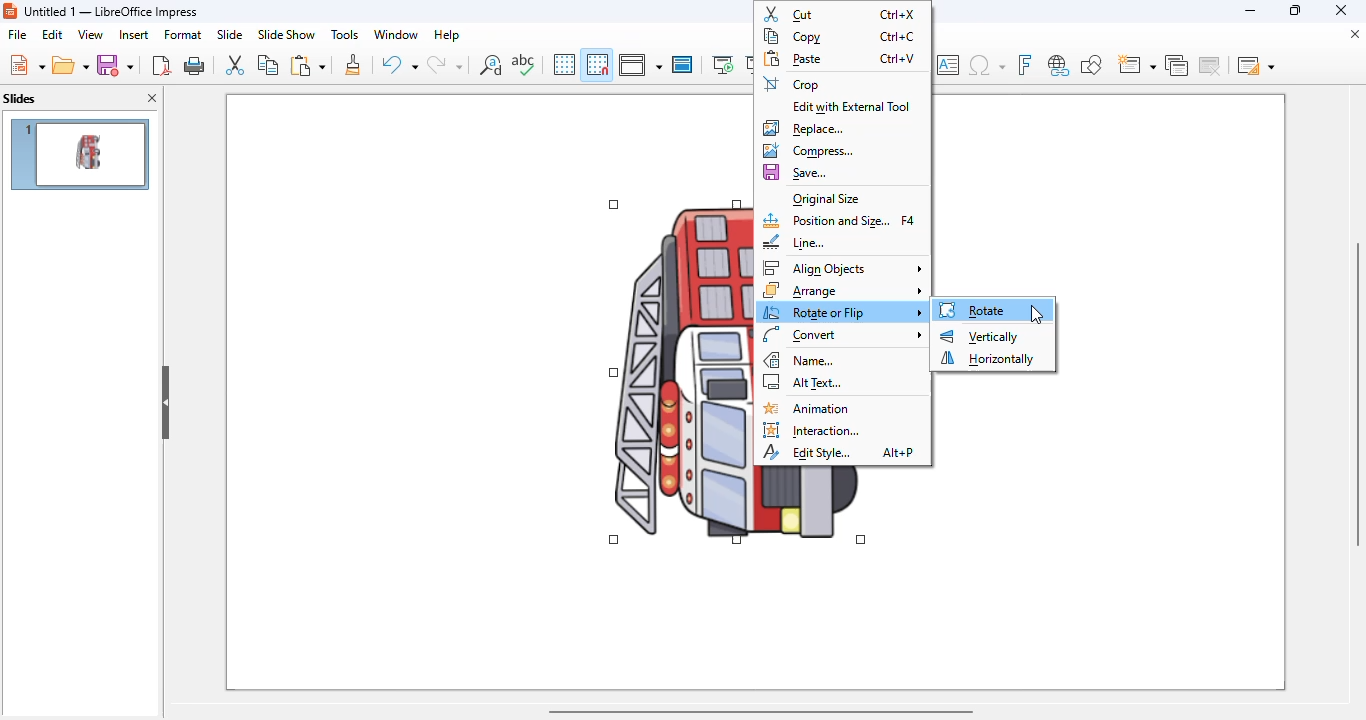  I want to click on align objects, so click(844, 268).